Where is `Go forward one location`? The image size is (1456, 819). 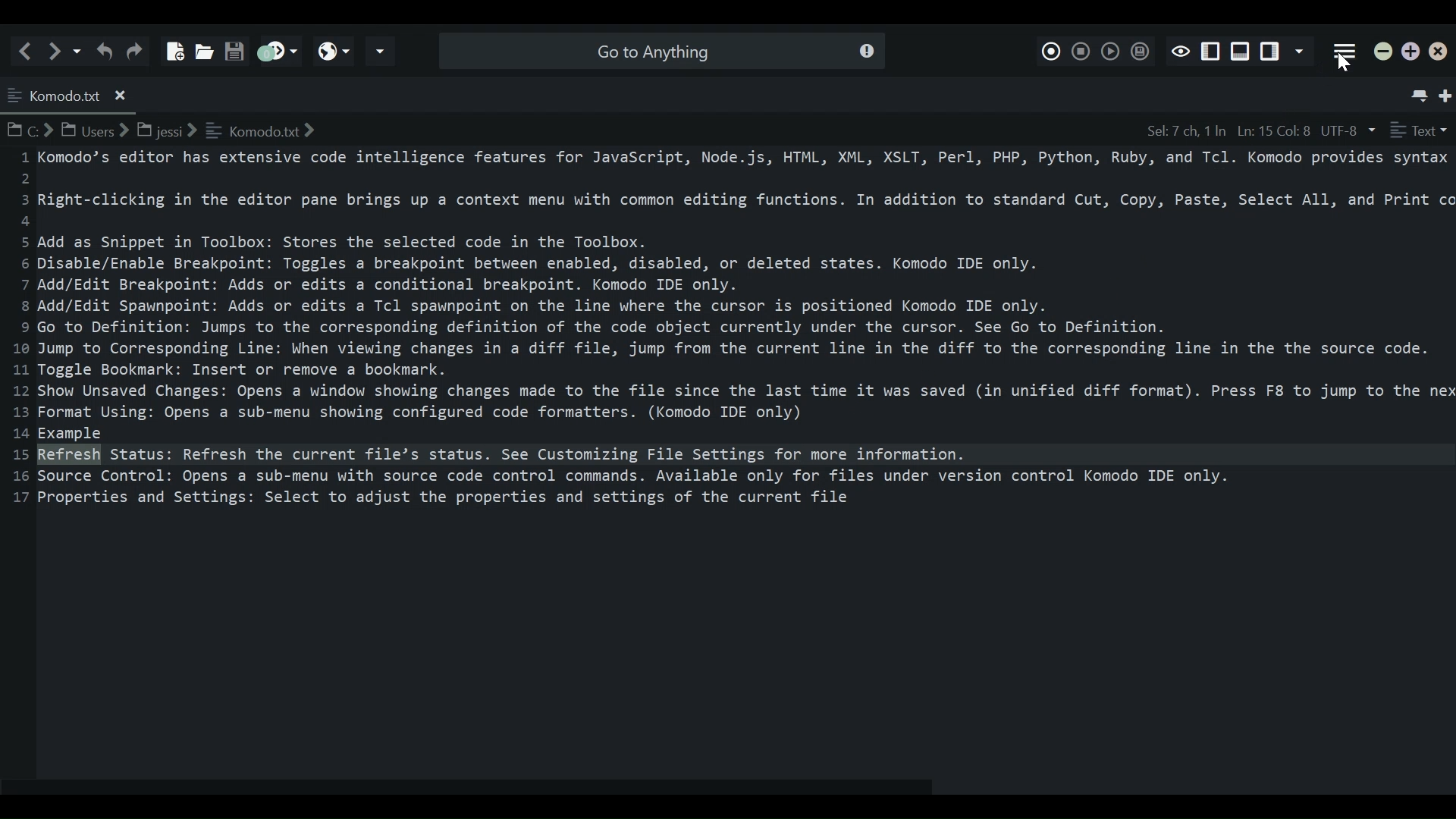 Go forward one location is located at coordinates (57, 50).